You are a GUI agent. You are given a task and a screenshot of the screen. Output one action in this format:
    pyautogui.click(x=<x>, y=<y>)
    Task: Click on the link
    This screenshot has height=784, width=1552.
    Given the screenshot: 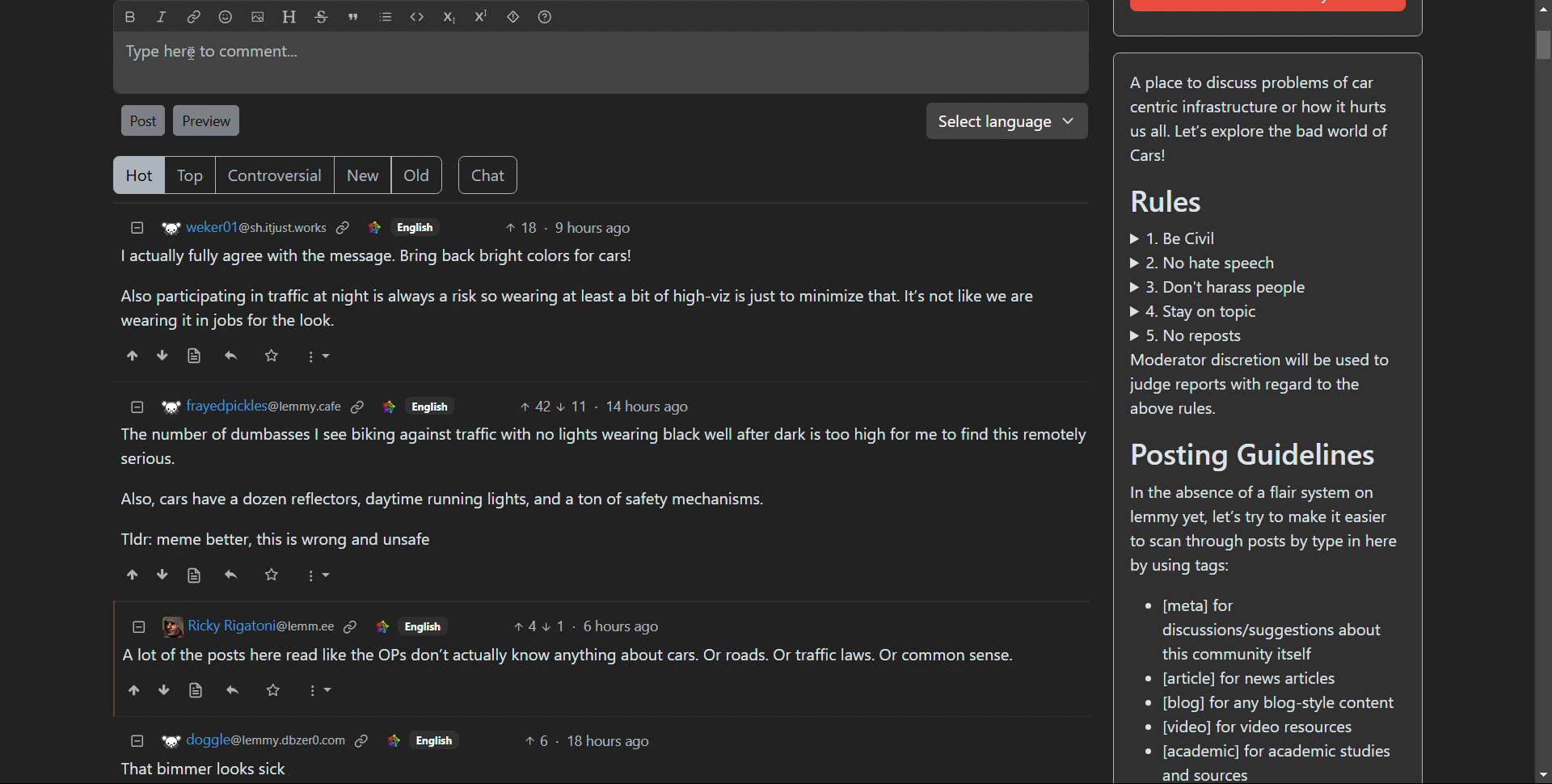 What is the action you would take?
    pyautogui.click(x=392, y=740)
    